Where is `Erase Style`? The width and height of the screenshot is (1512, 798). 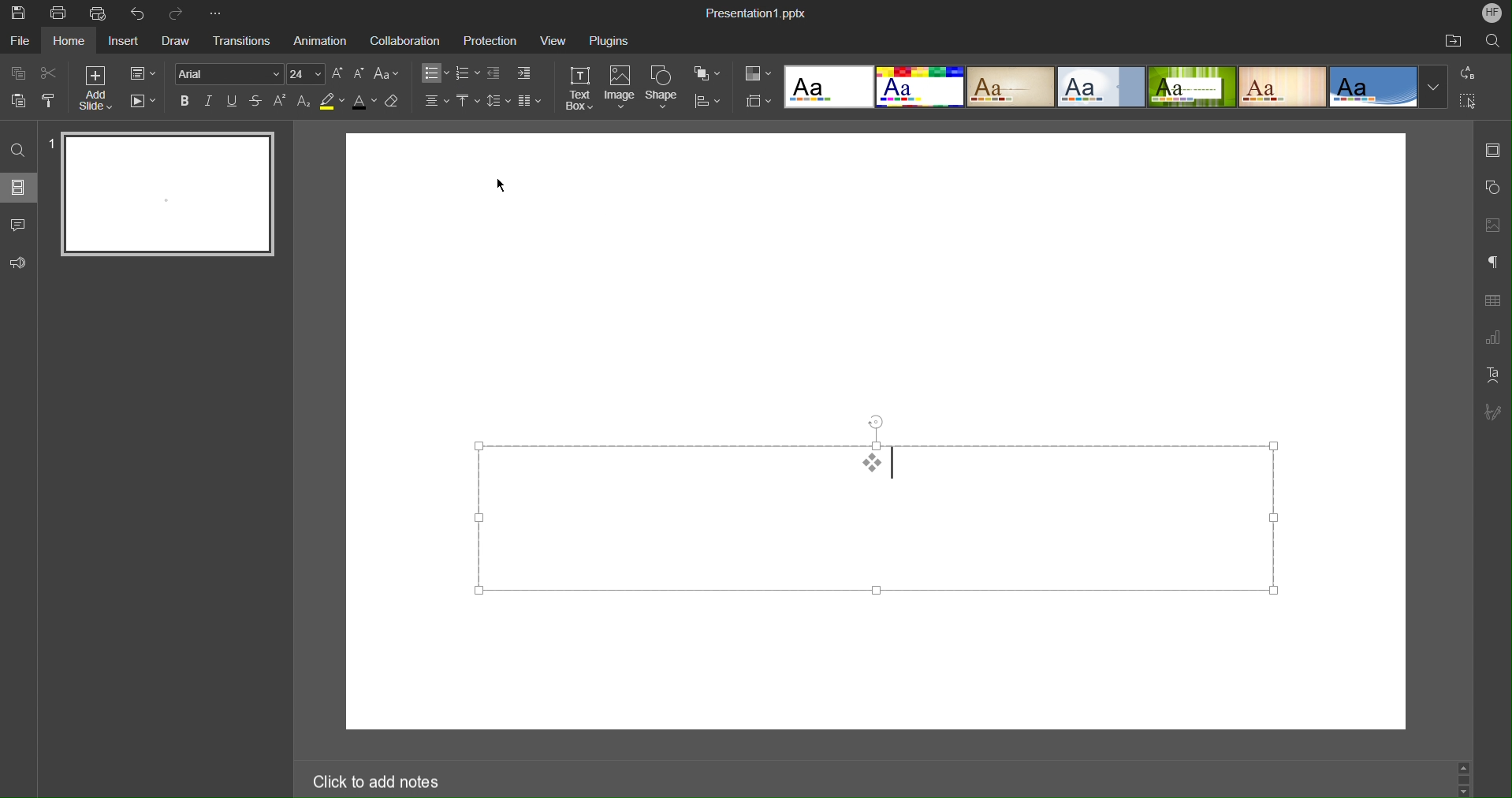 Erase Style is located at coordinates (394, 102).